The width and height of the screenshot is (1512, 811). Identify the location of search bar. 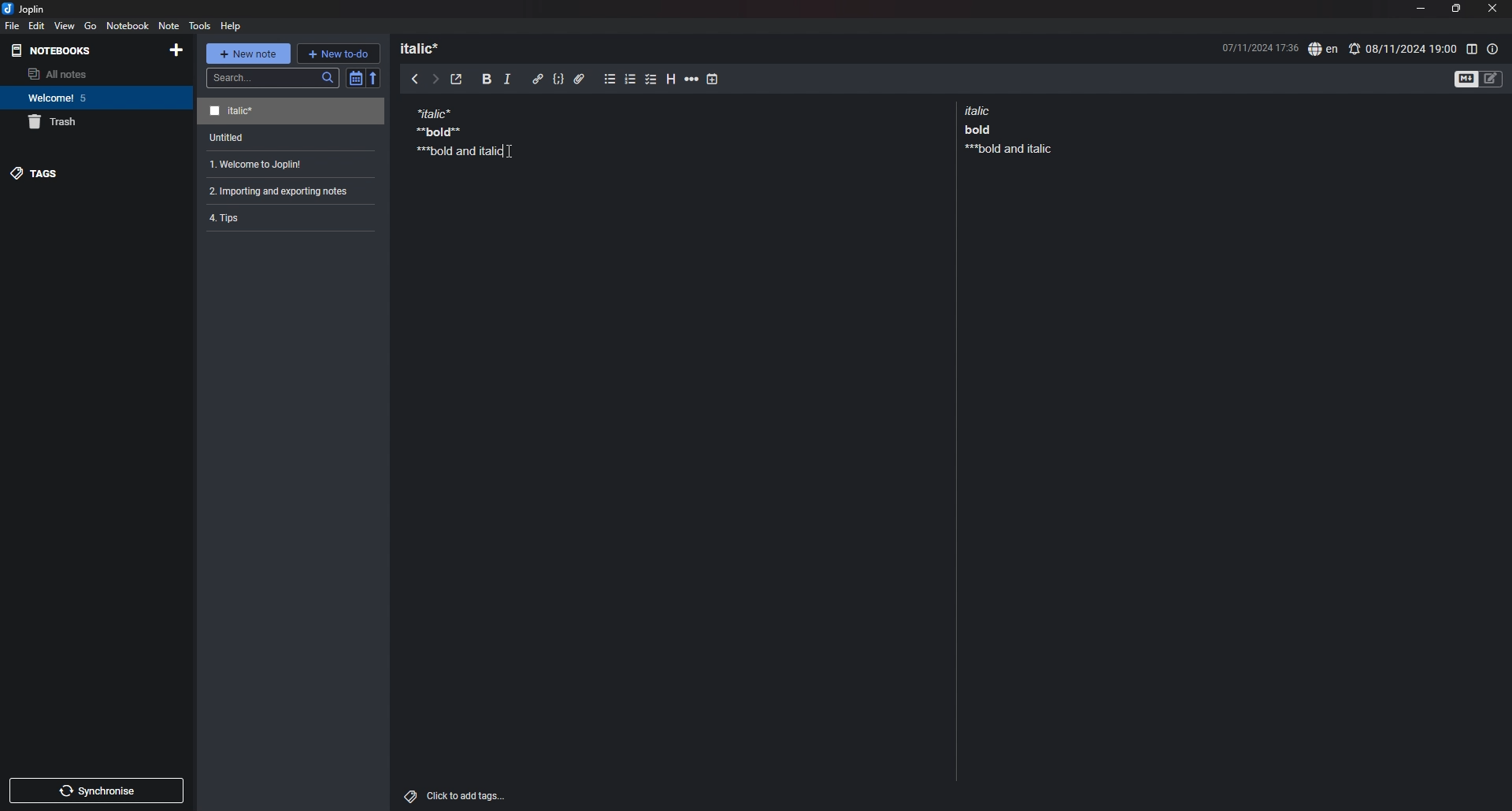
(273, 78).